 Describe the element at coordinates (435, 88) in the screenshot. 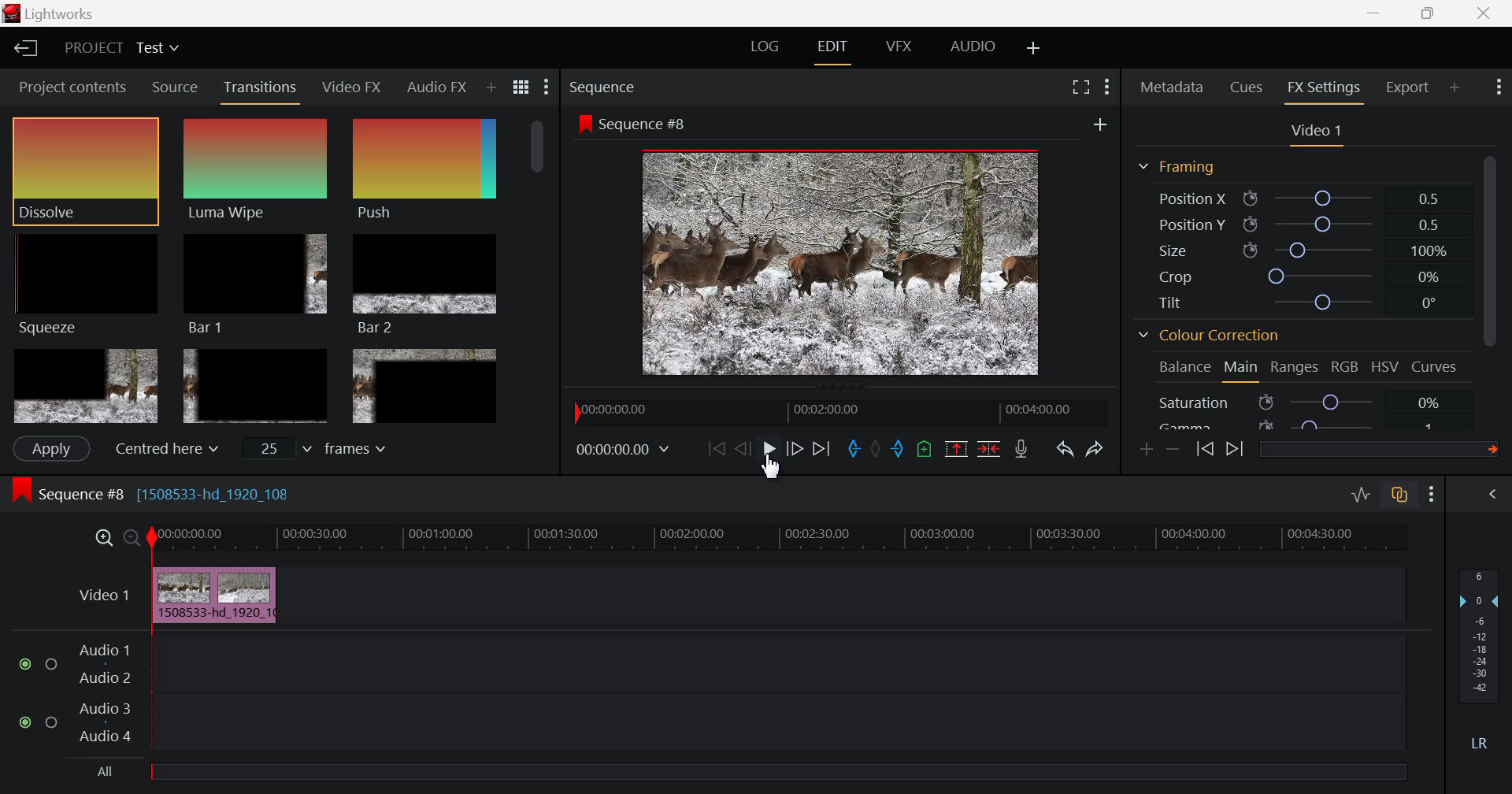

I see `Audio FX` at that location.